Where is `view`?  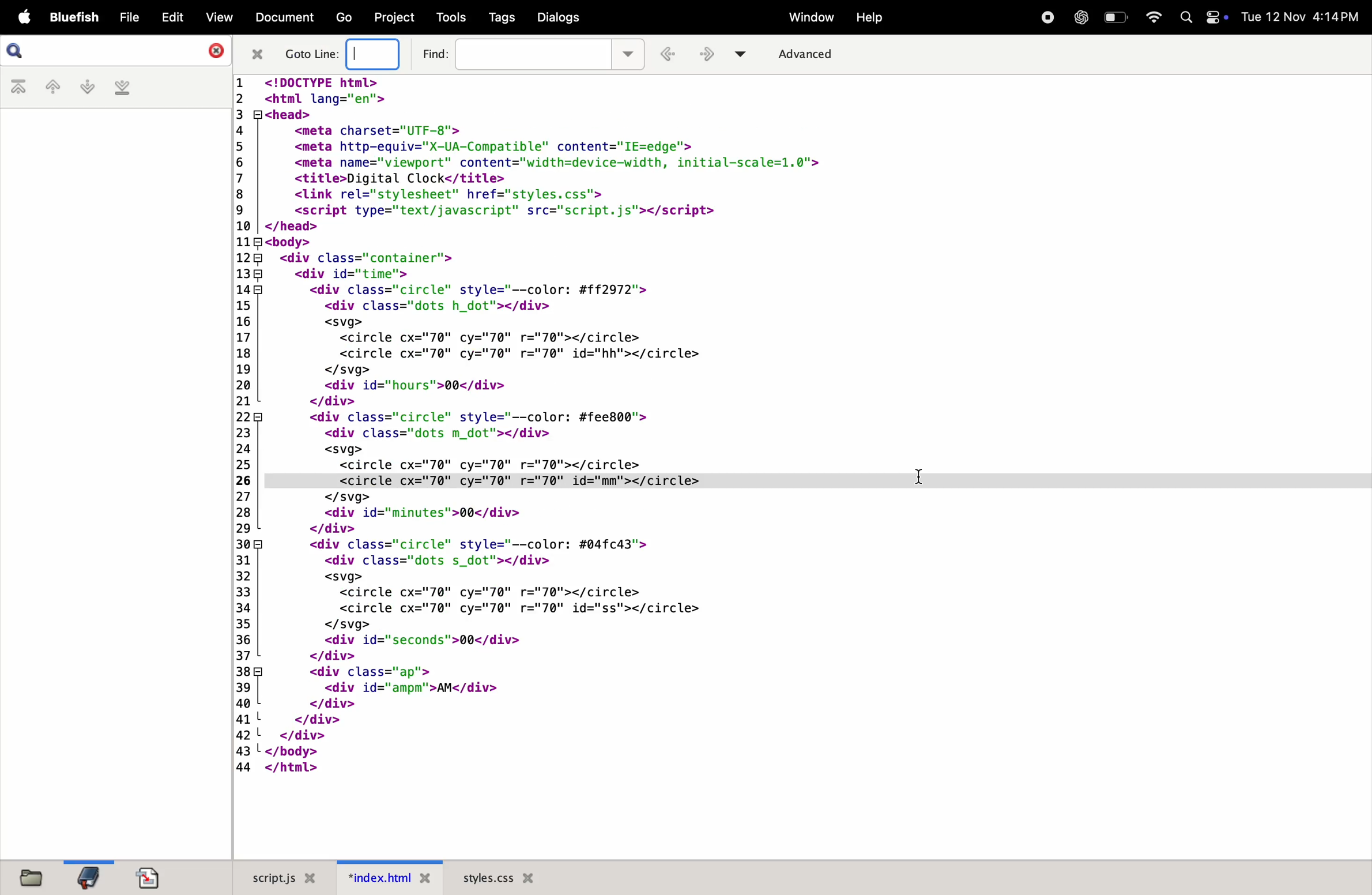 view is located at coordinates (214, 17).